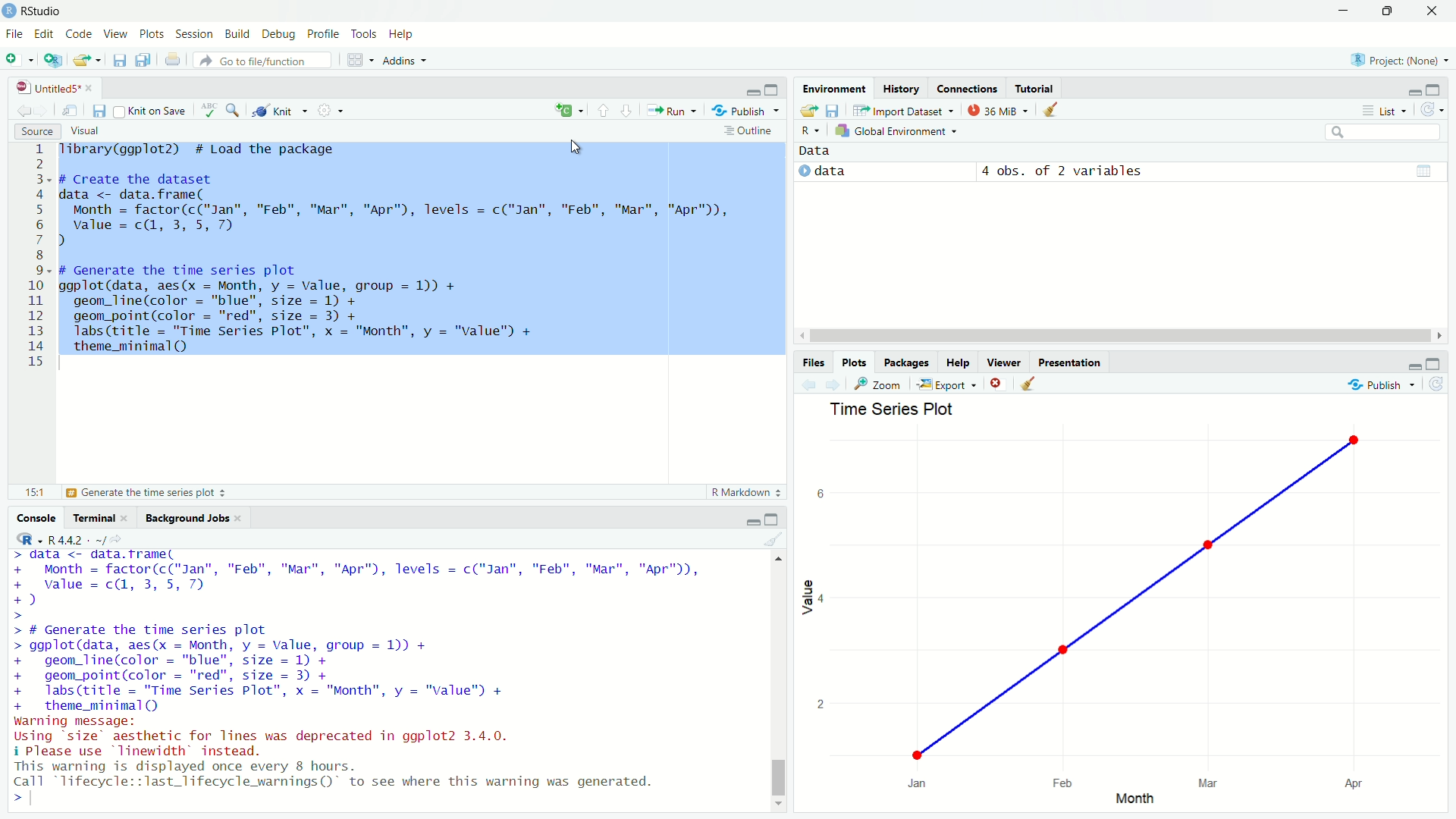 This screenshot has height=819, width=1456. What do you see at coordinates (36, 798) in the screenshot?
I see `typing cursor` at bounding box center [36, 798].